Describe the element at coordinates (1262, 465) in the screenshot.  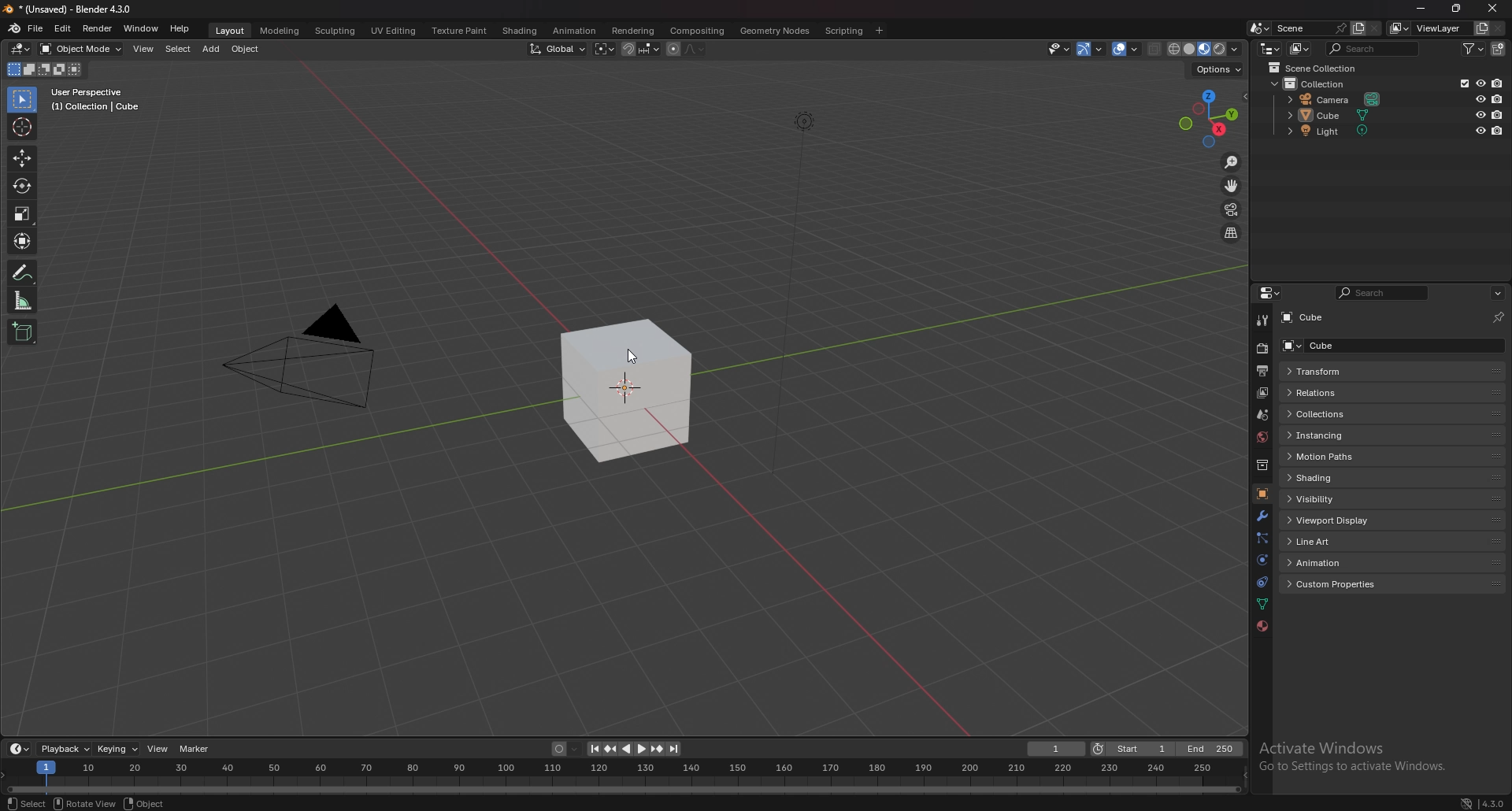
I see `collection` at that location.